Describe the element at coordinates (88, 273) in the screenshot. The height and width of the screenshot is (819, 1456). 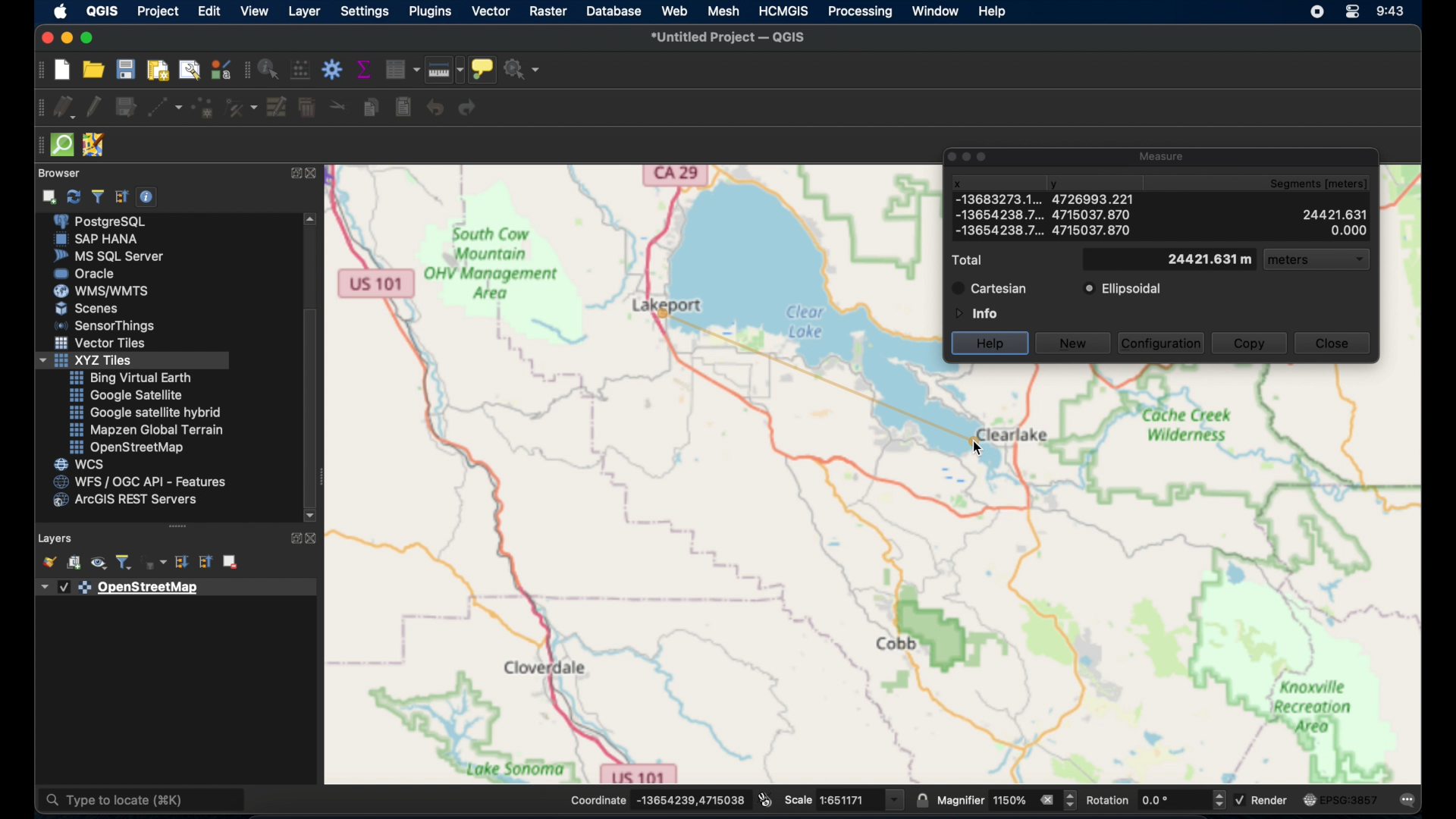
I see `oracle` at that location.